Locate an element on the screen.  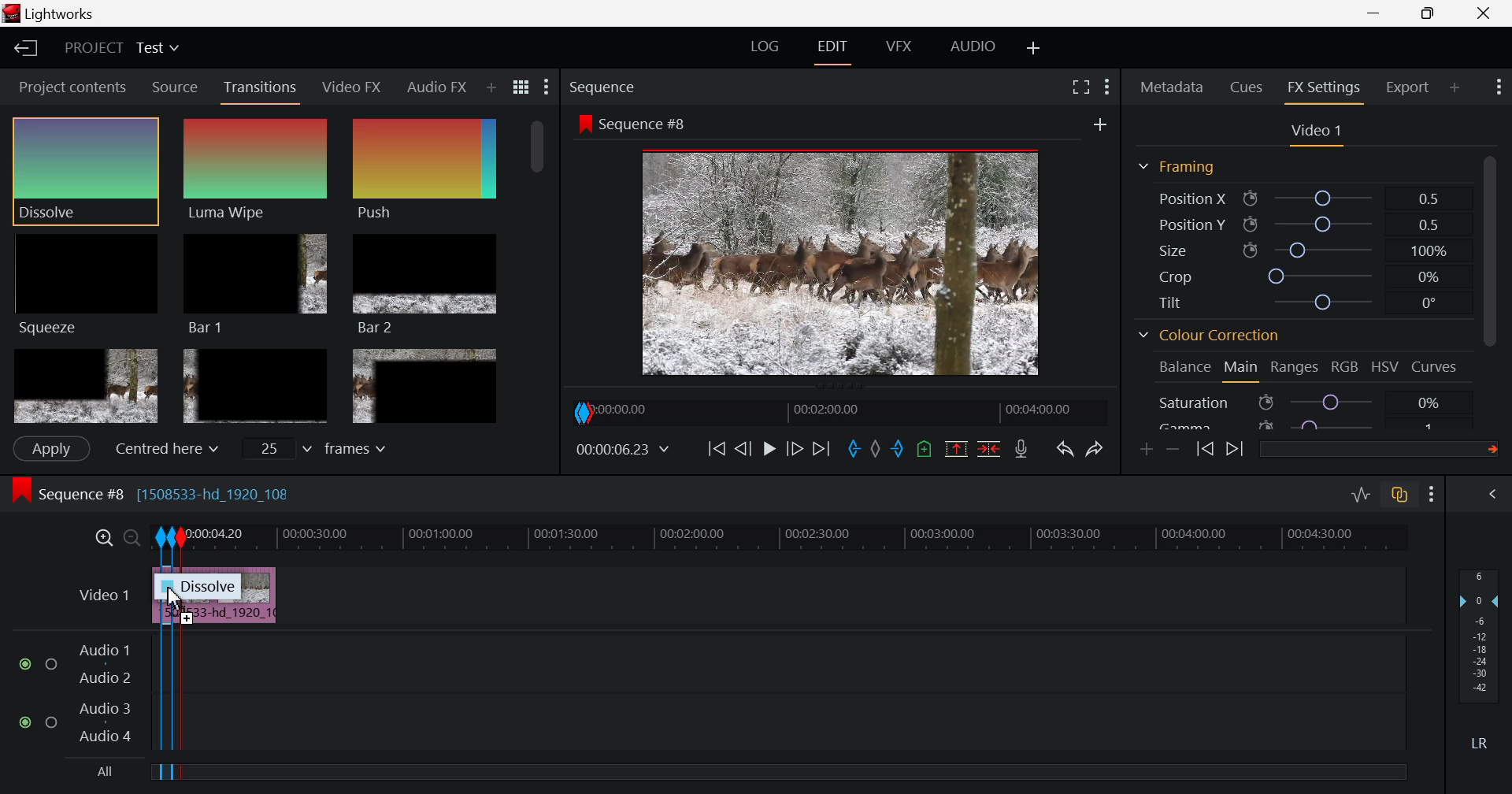
Scroll Bar is located at coordinates (1496, 284).